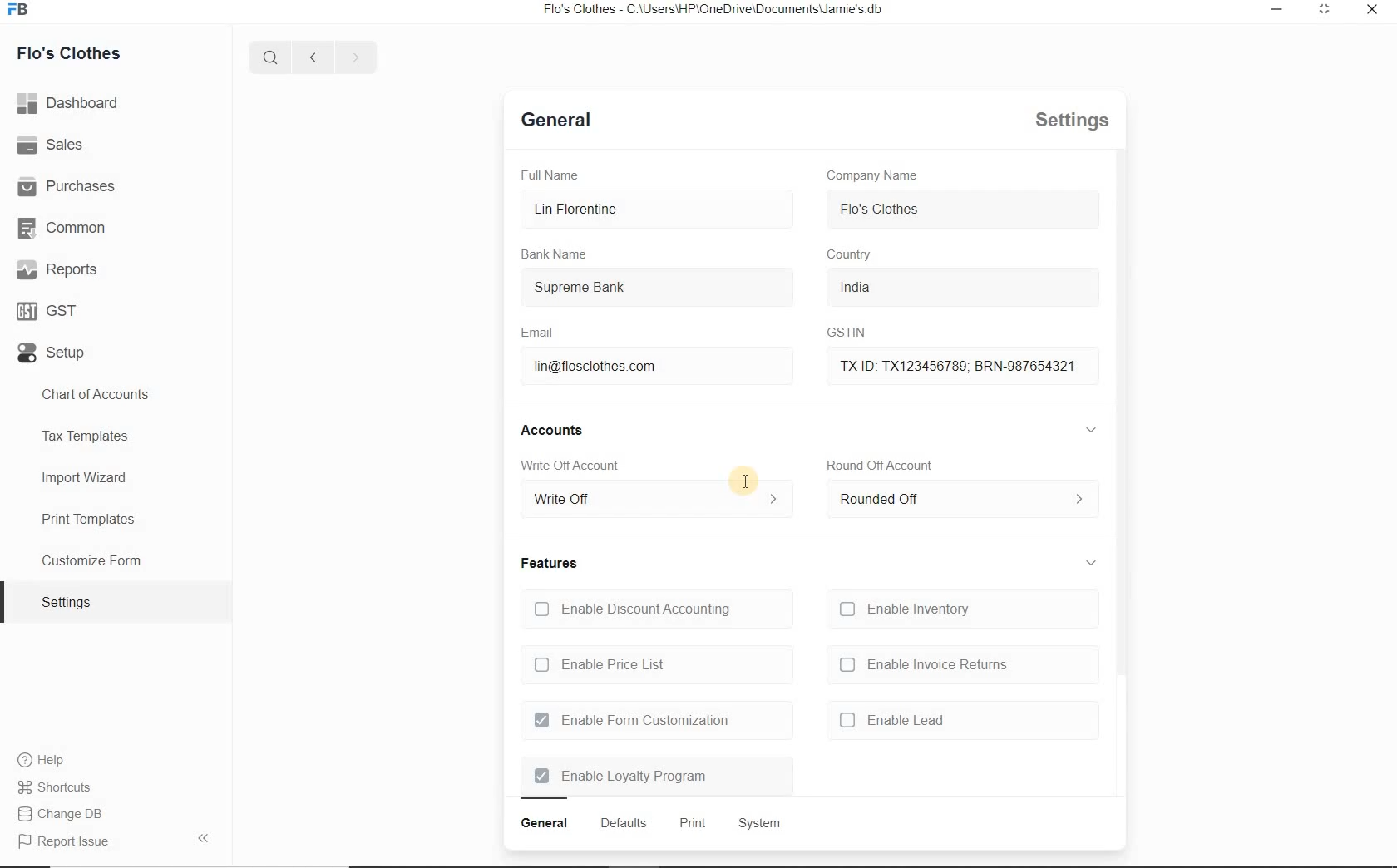 Image resolution: width=1397 pixels, height=868 pixels. Describe the element at coordinates (879, 464) in the screenshot. I see `Round Off Account` at that location.